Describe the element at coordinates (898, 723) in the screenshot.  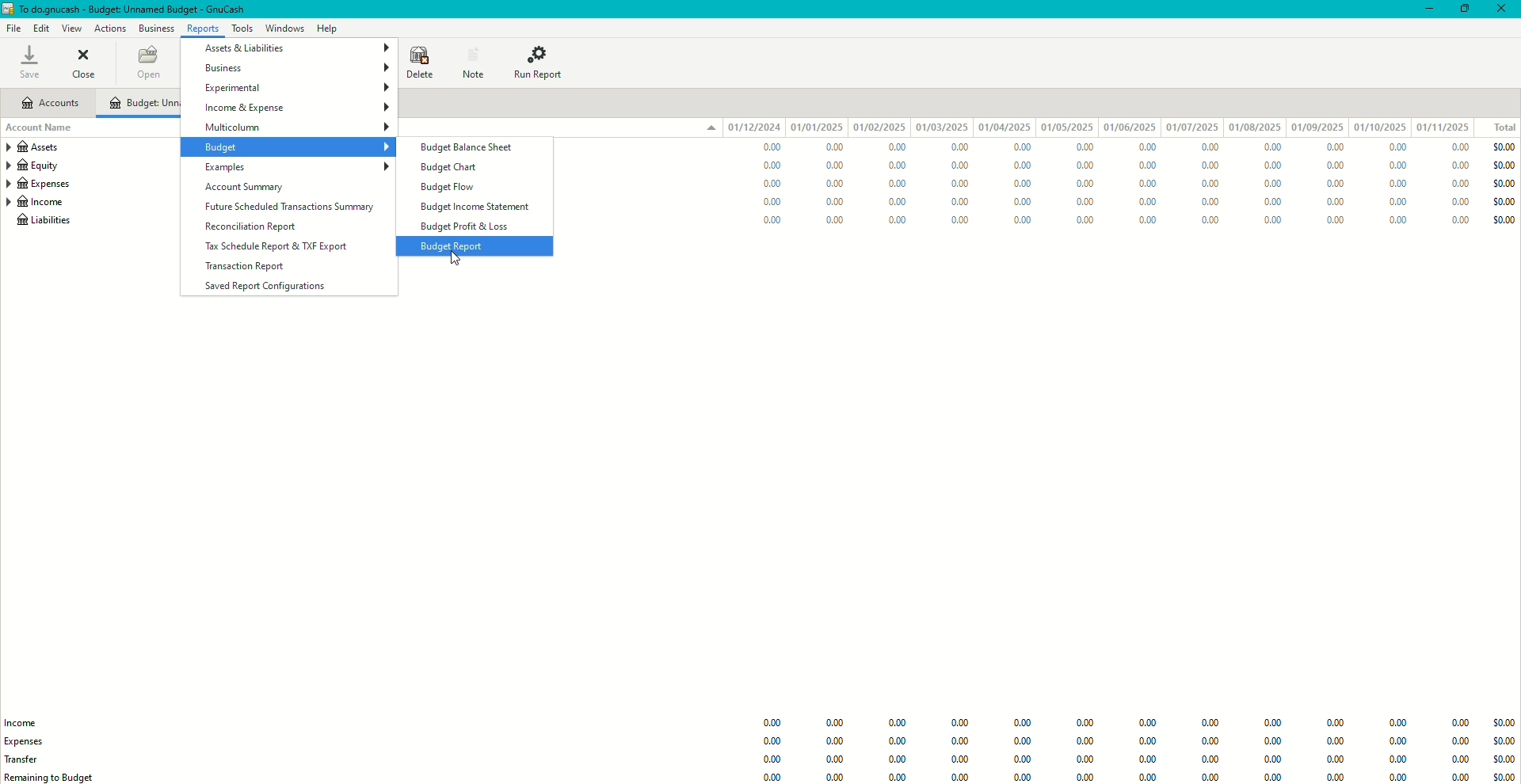
I see `0.00` at that location.